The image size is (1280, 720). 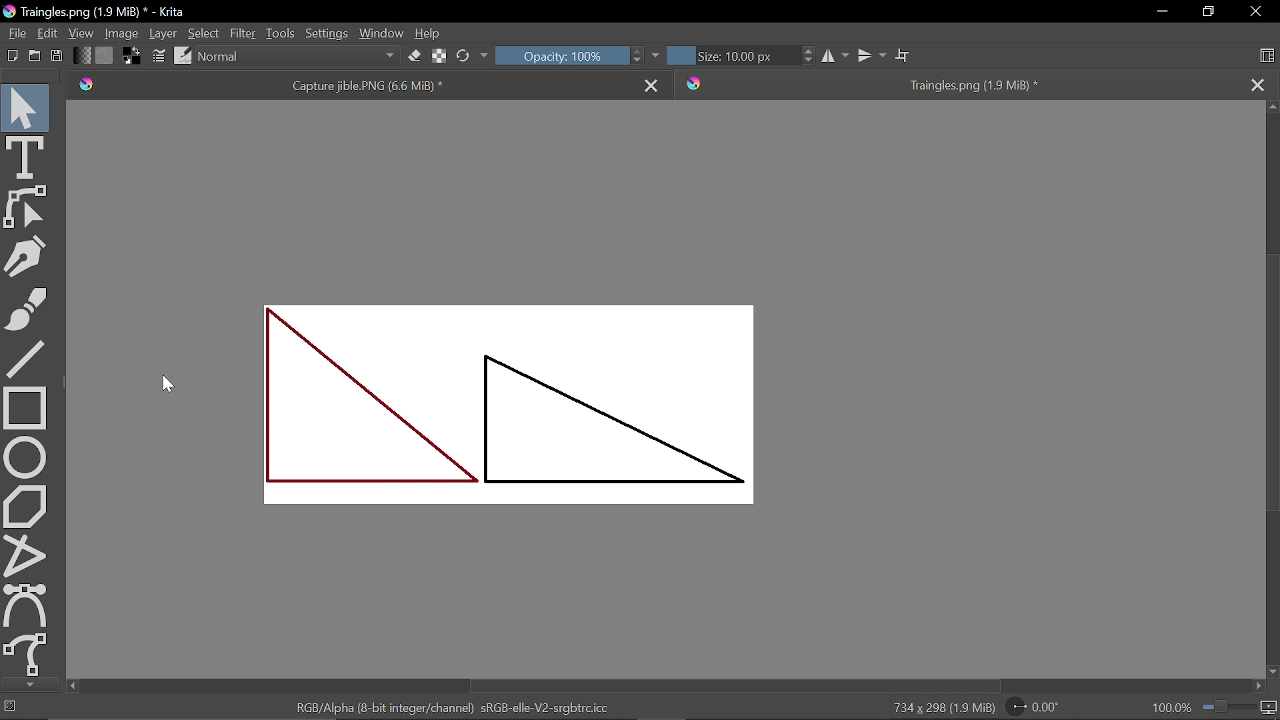 I want to click on eraser, so click(x=415, y=58).